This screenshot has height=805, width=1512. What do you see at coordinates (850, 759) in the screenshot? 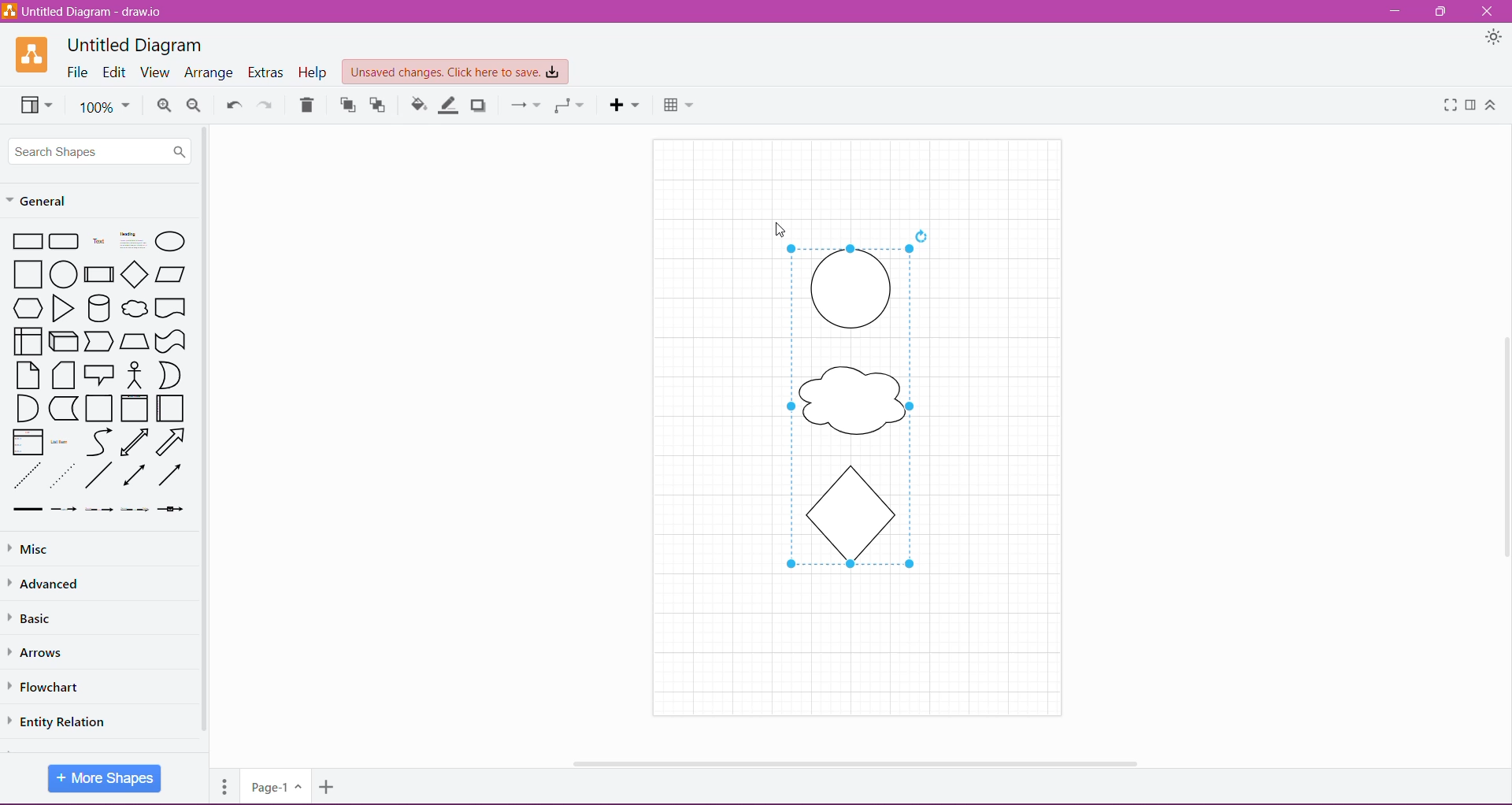
I see `Horizontal Scroll Bar` at bounding box center [850, 759].